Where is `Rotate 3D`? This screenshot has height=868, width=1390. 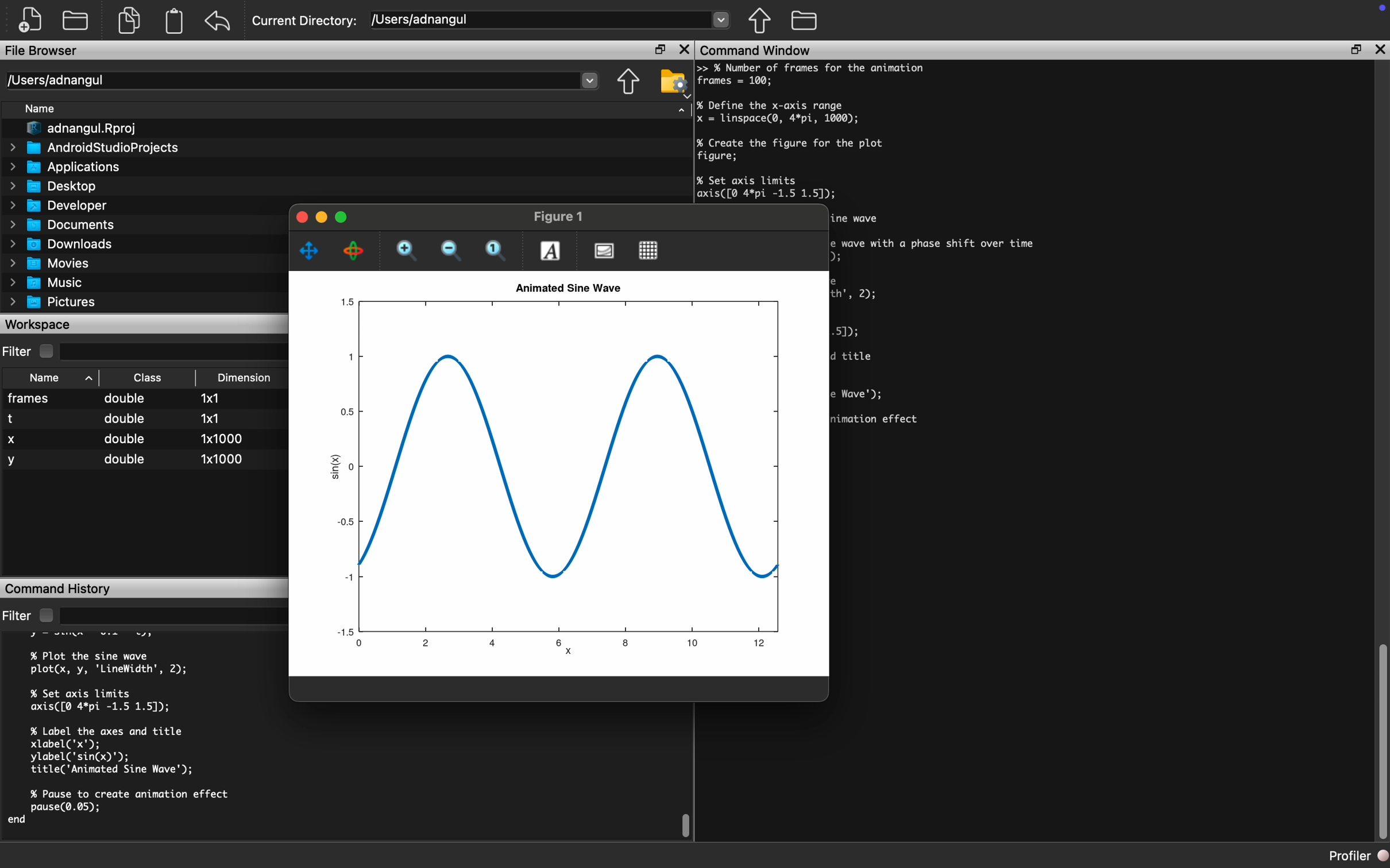 Rotate 3D is located at coordinates (354, 253).